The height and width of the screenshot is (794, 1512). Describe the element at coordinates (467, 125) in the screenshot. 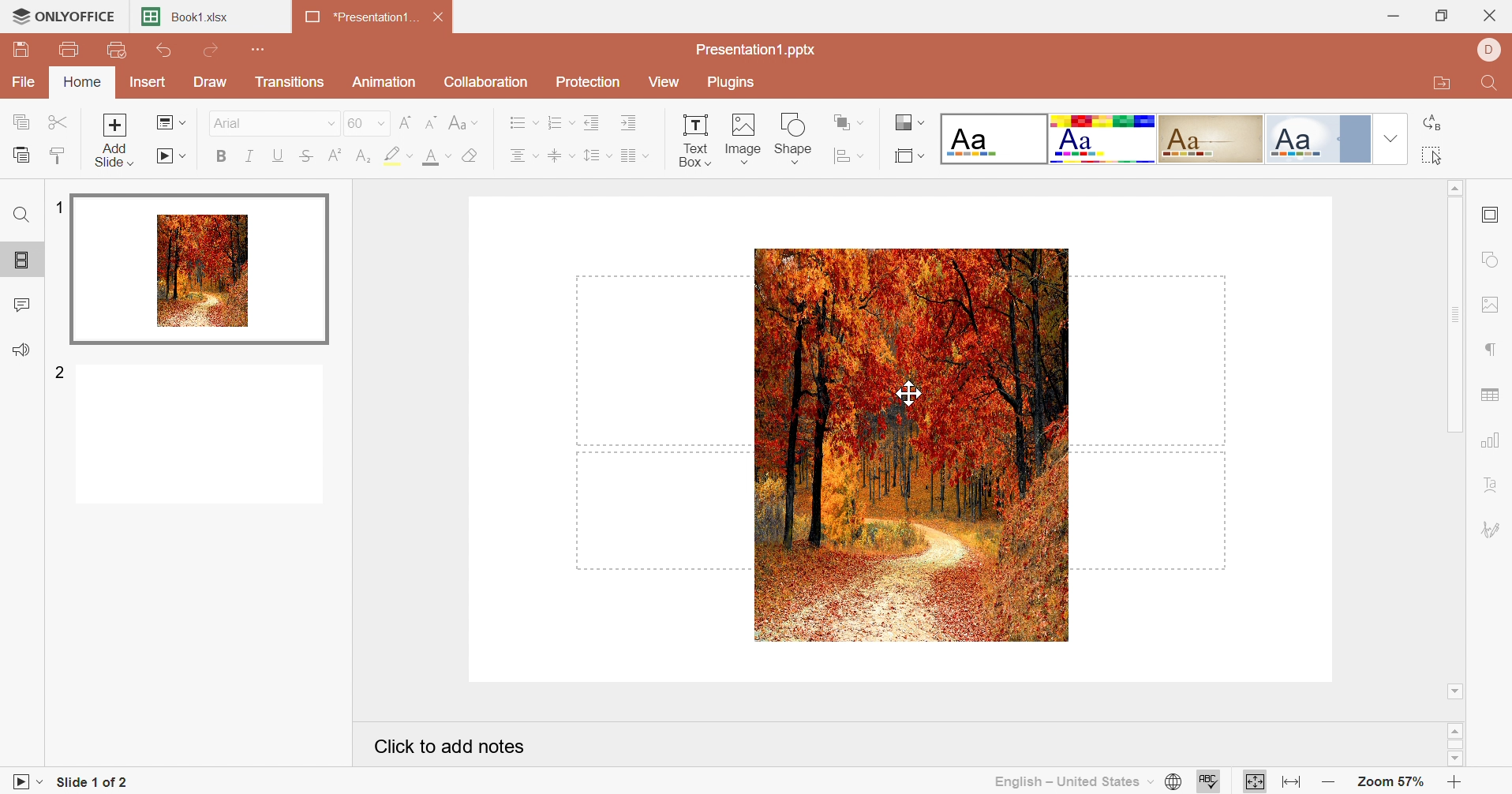

I see `Change case` at that location.